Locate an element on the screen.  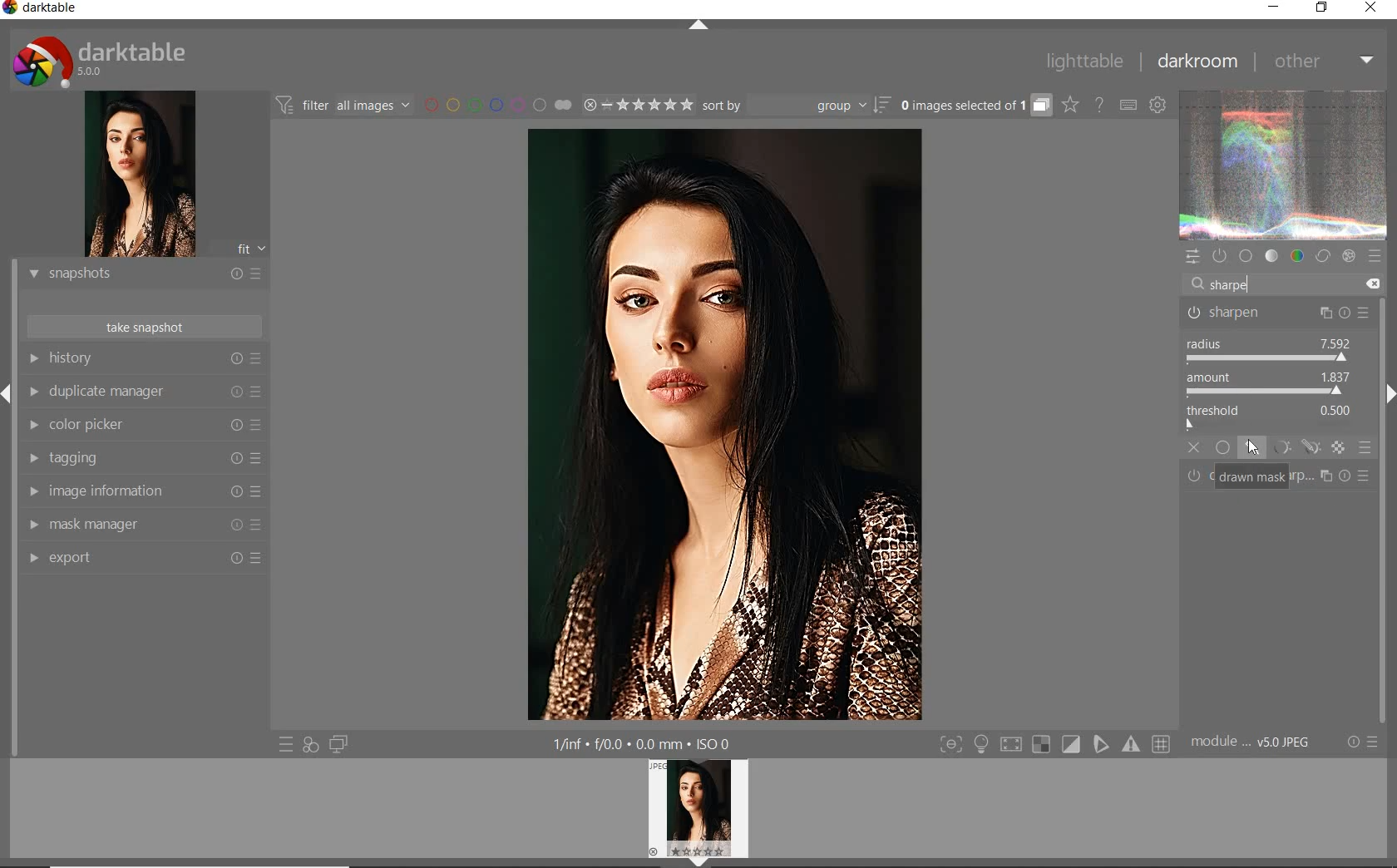
filter by image color is located at coordinates (497, 104).